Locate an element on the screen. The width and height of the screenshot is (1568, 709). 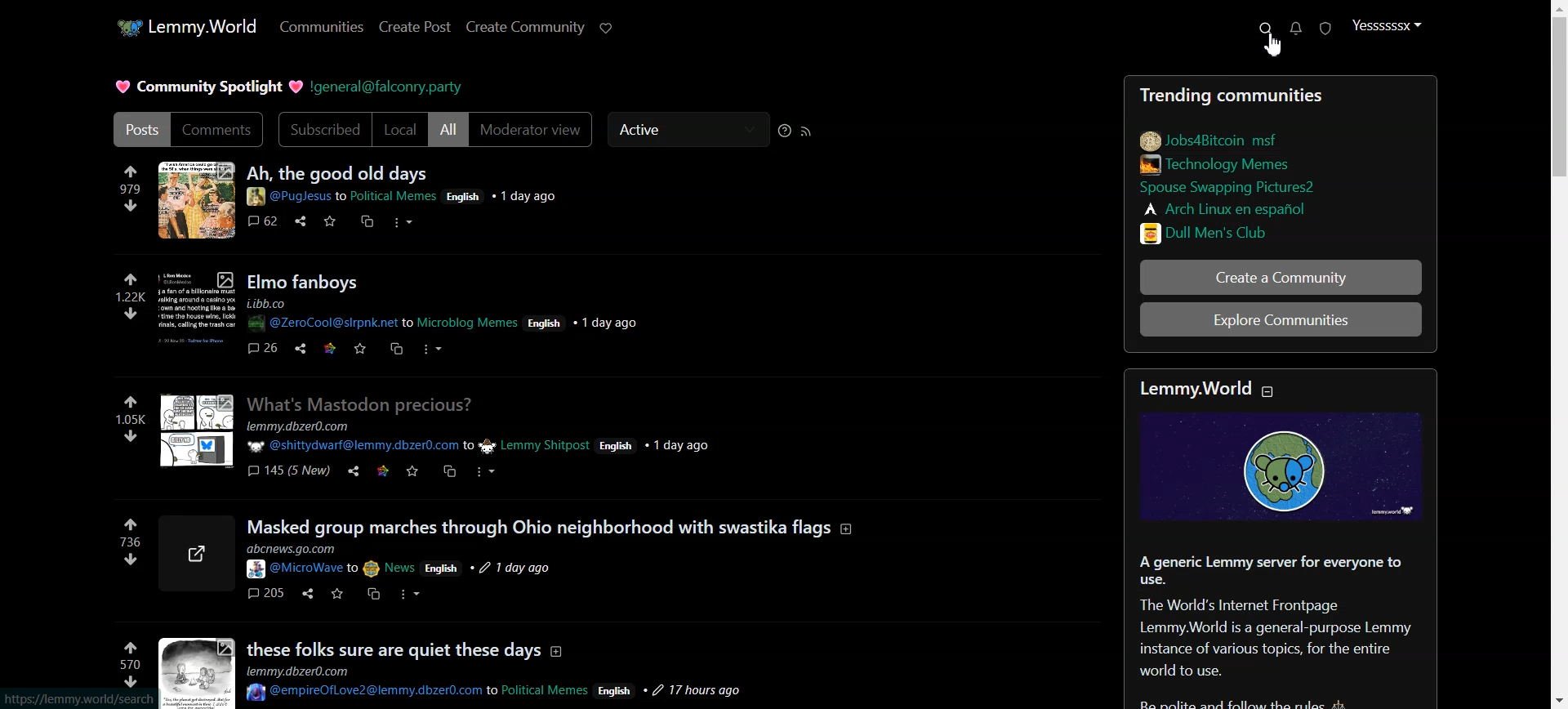
post is located at coordinates (335, 173).